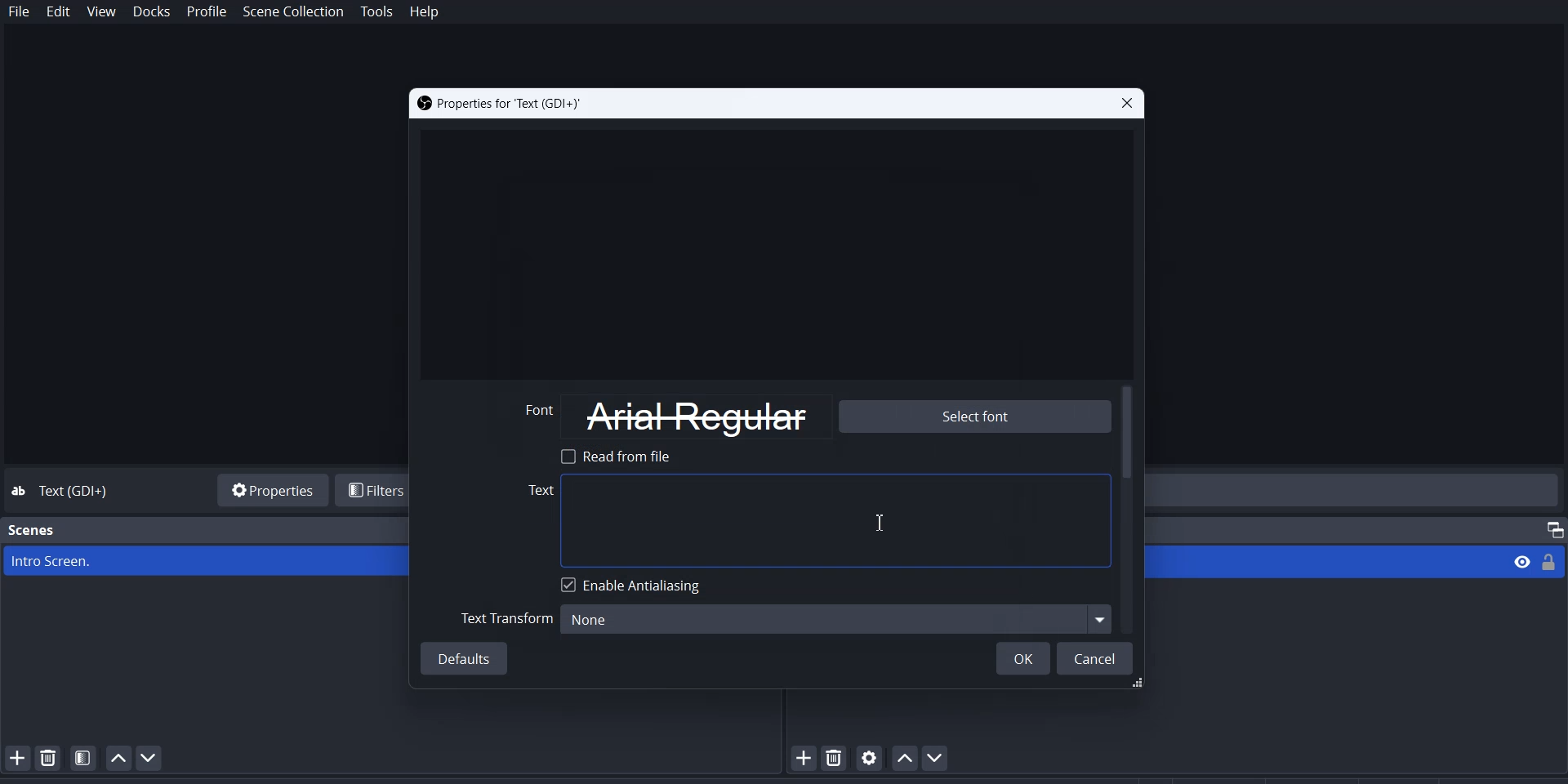  I want to click on Cancel, so click(1097, 659).